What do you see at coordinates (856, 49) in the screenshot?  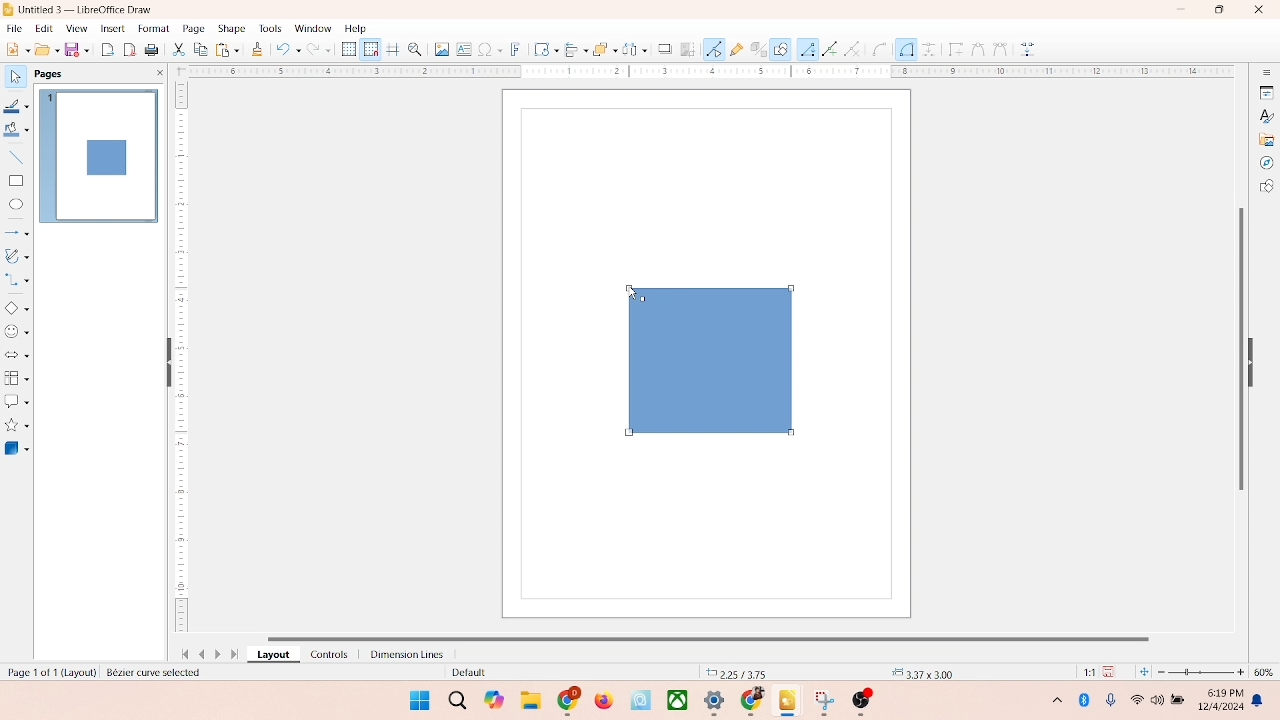 I see `Arc tool` at bounding box center [856, 49].